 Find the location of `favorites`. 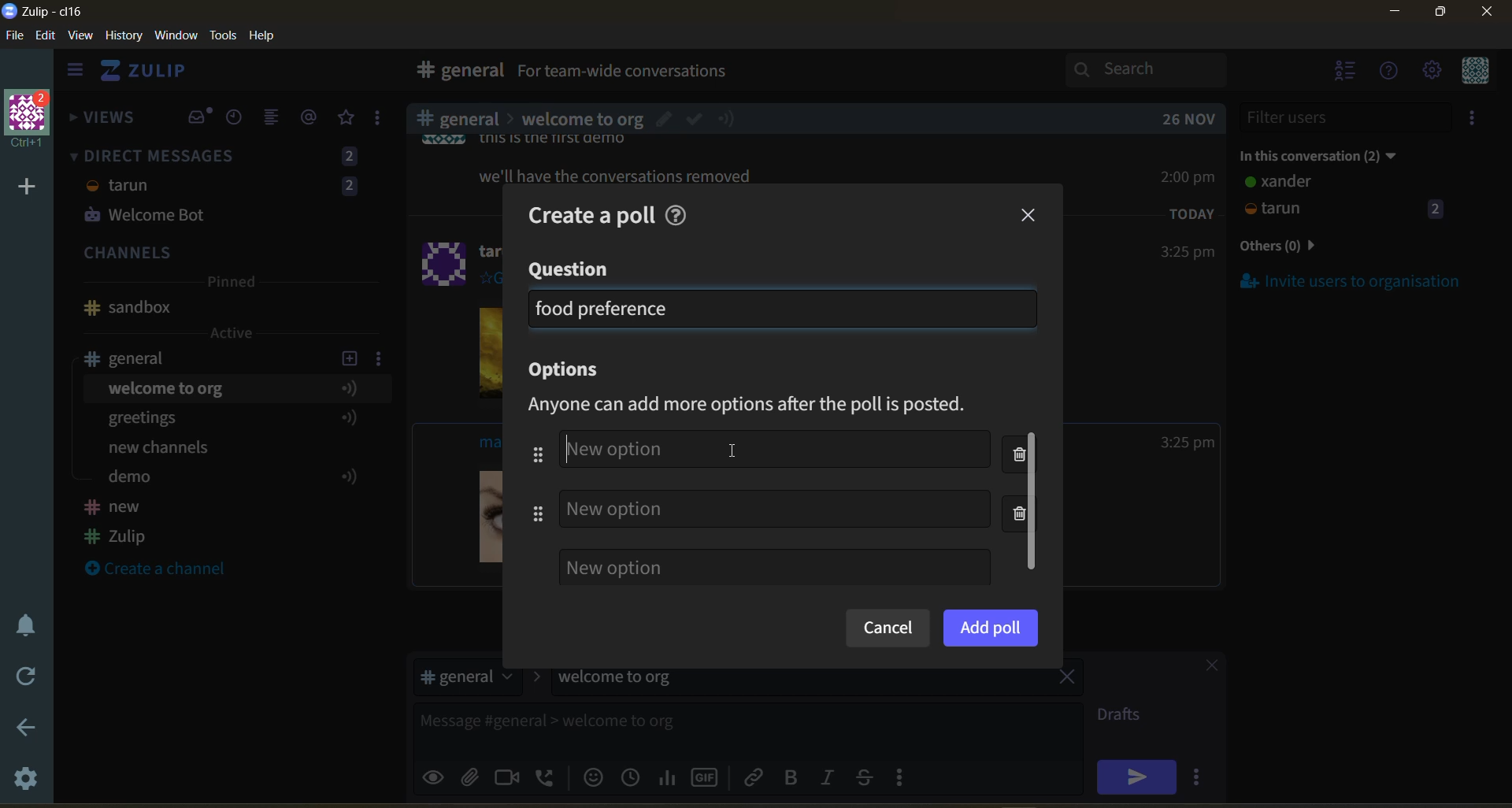

favorites is located at coordinates (347, 118).